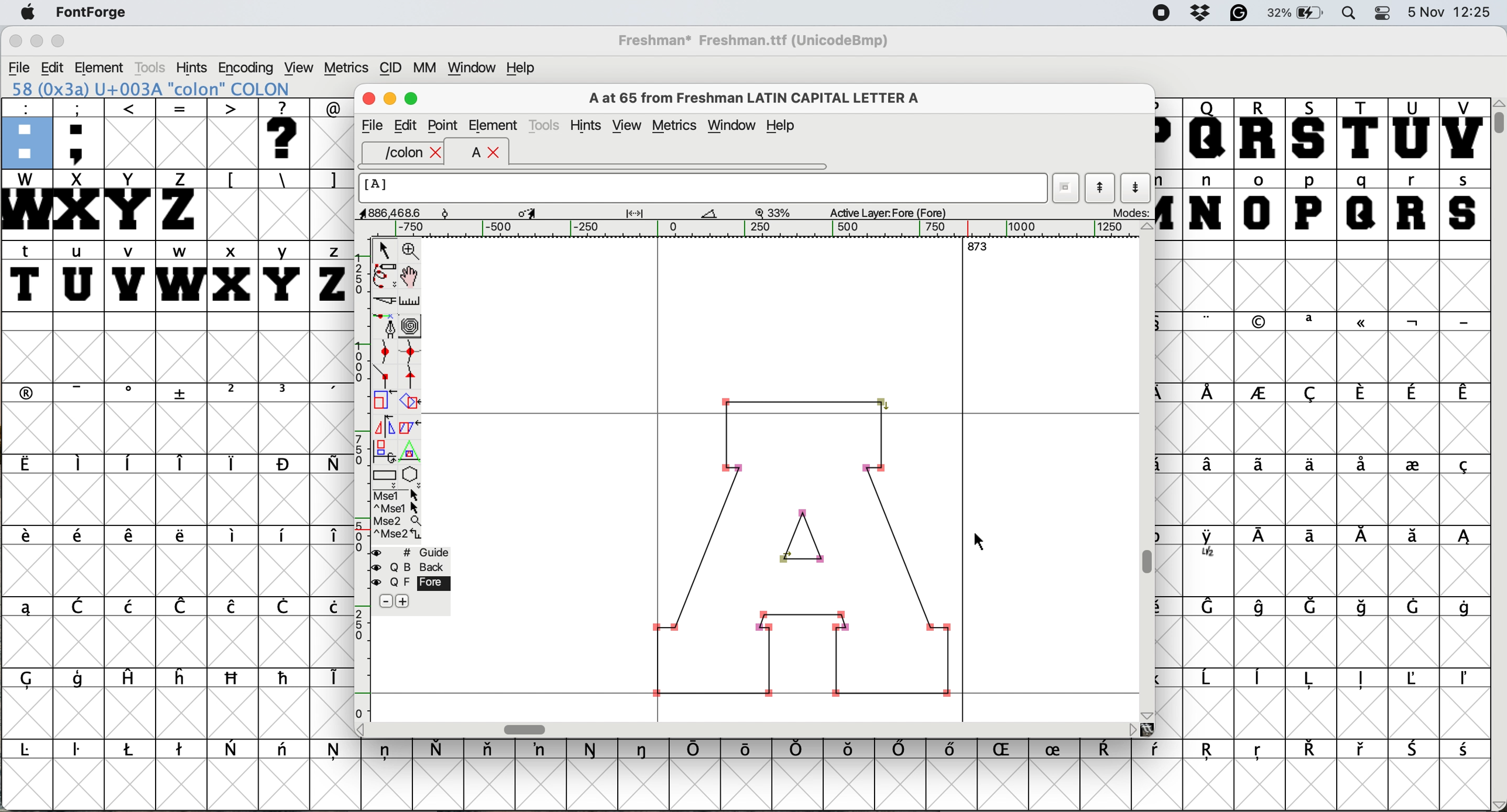 The height and width of the screenshot is (812, 1507). Describe the element at coordinates (1363, 538) in the screenshot. I see `symbol` at that location.